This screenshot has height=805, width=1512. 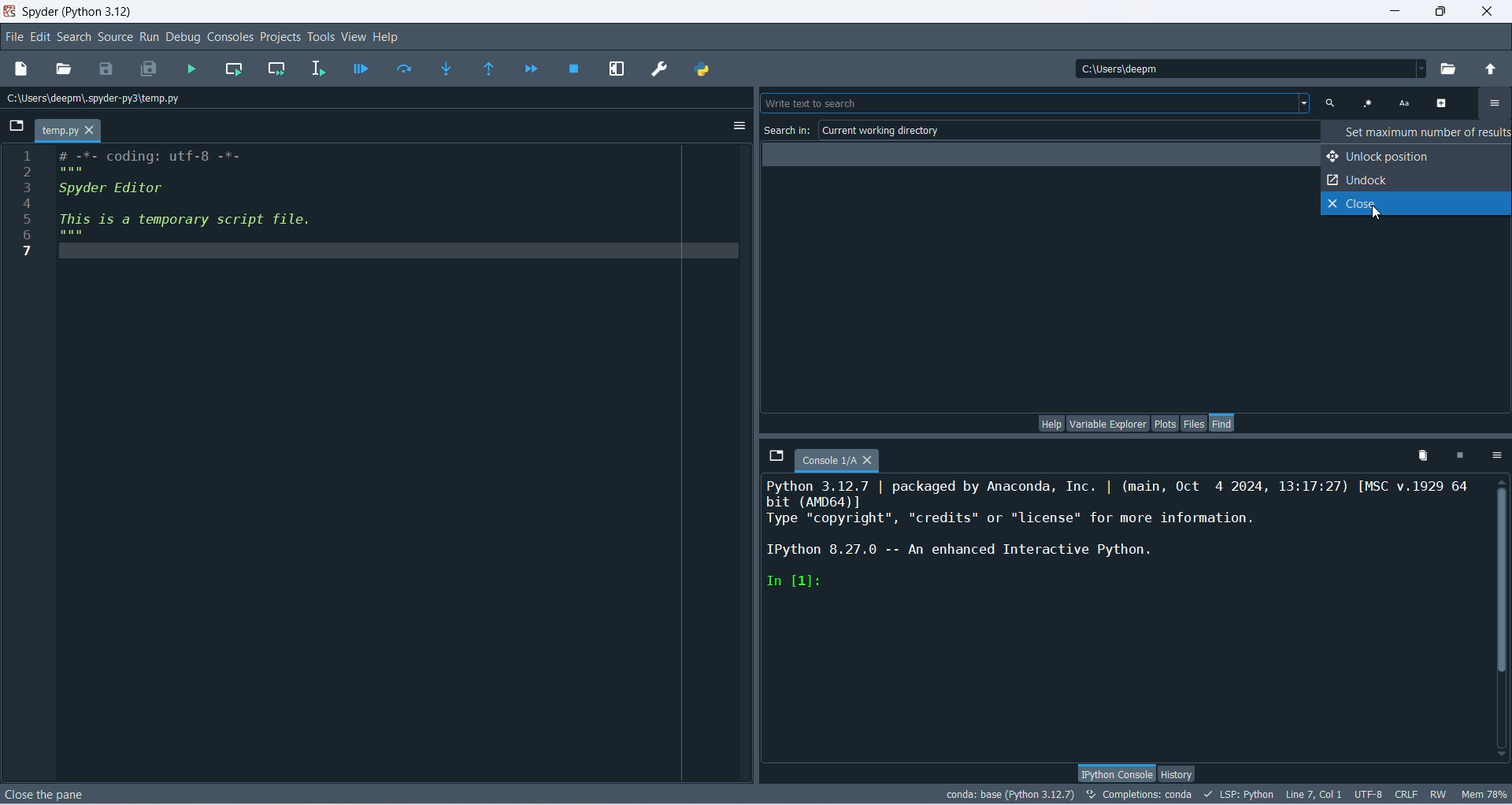 What do you see at coordinates (1413, 204) in the screenshot?
I see `close` at bounding box center [1413, 204].